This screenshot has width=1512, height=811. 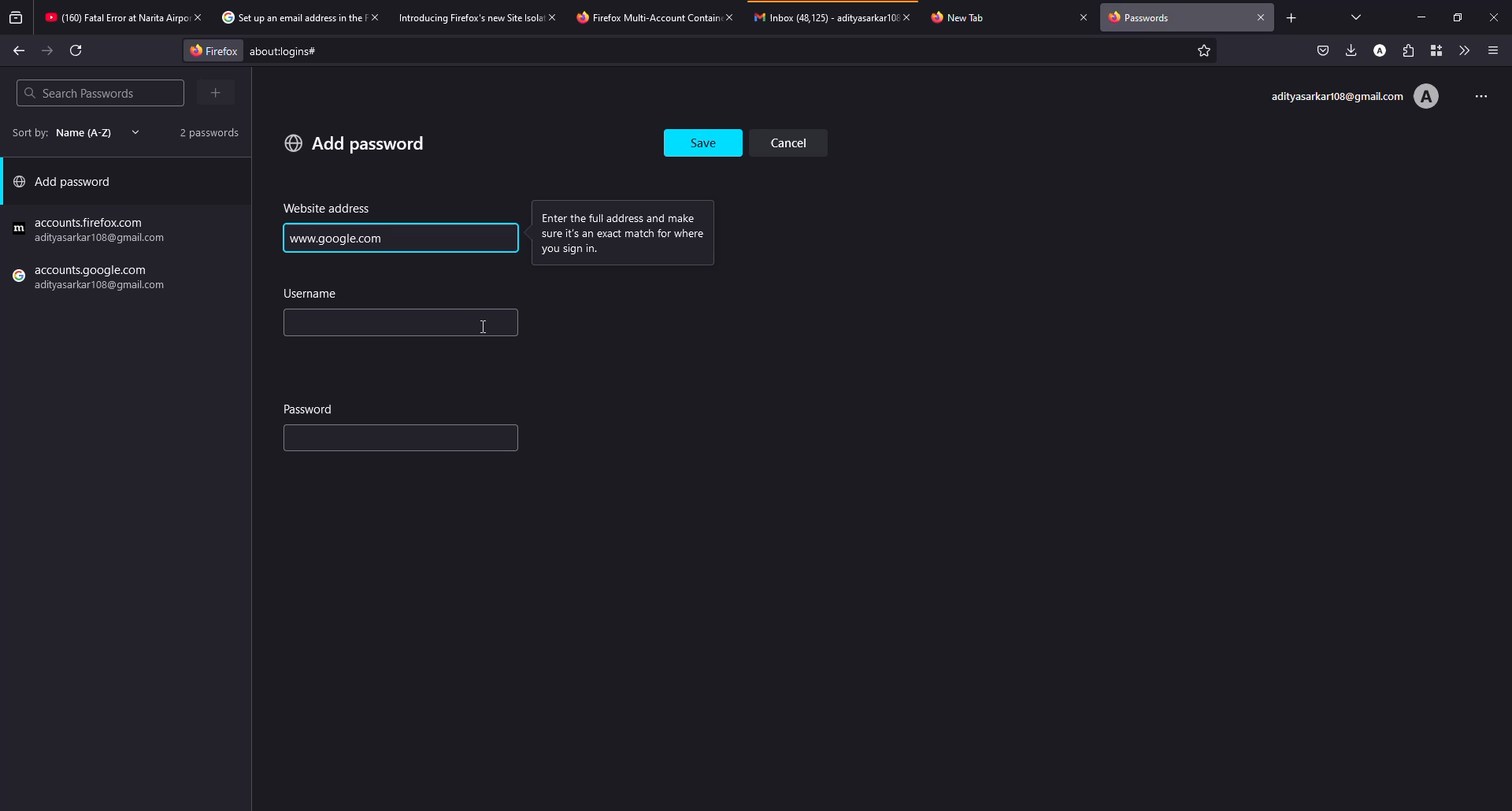 I want to click on close, so click(x=197, y=17).